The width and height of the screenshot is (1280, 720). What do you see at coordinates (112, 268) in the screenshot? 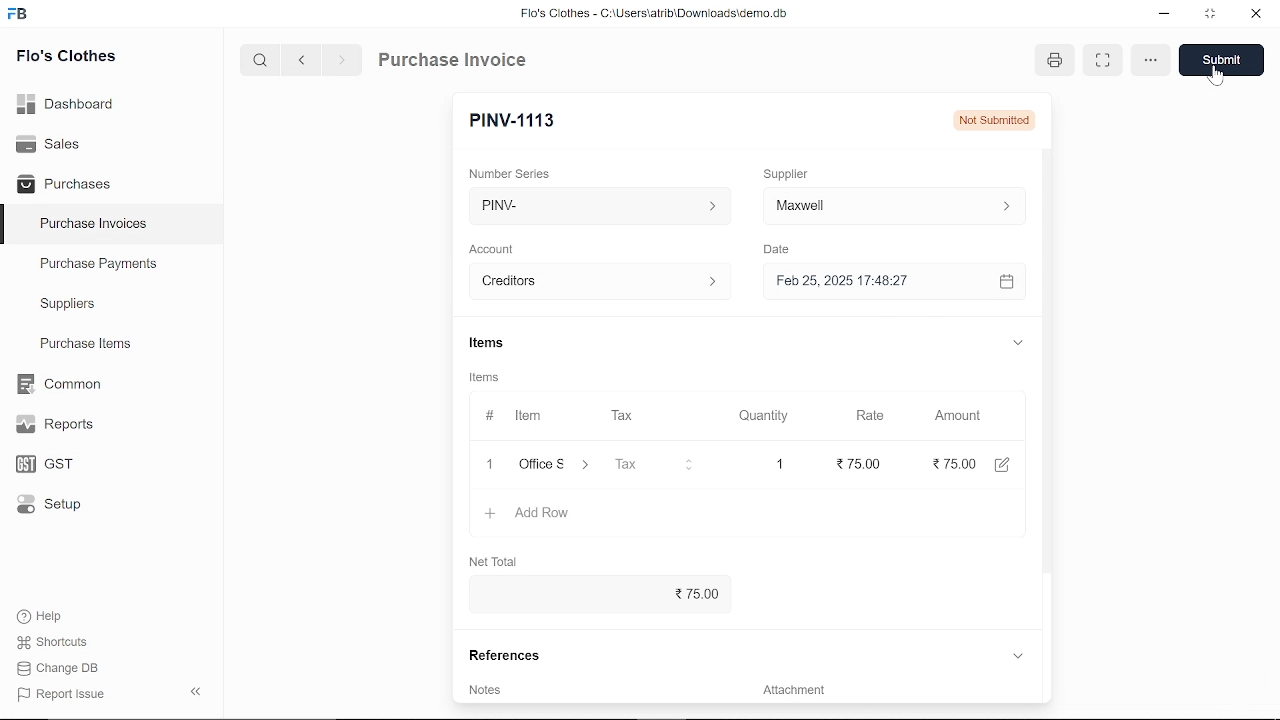
I see `Purchase Payments` at bounding box center [112, 268].